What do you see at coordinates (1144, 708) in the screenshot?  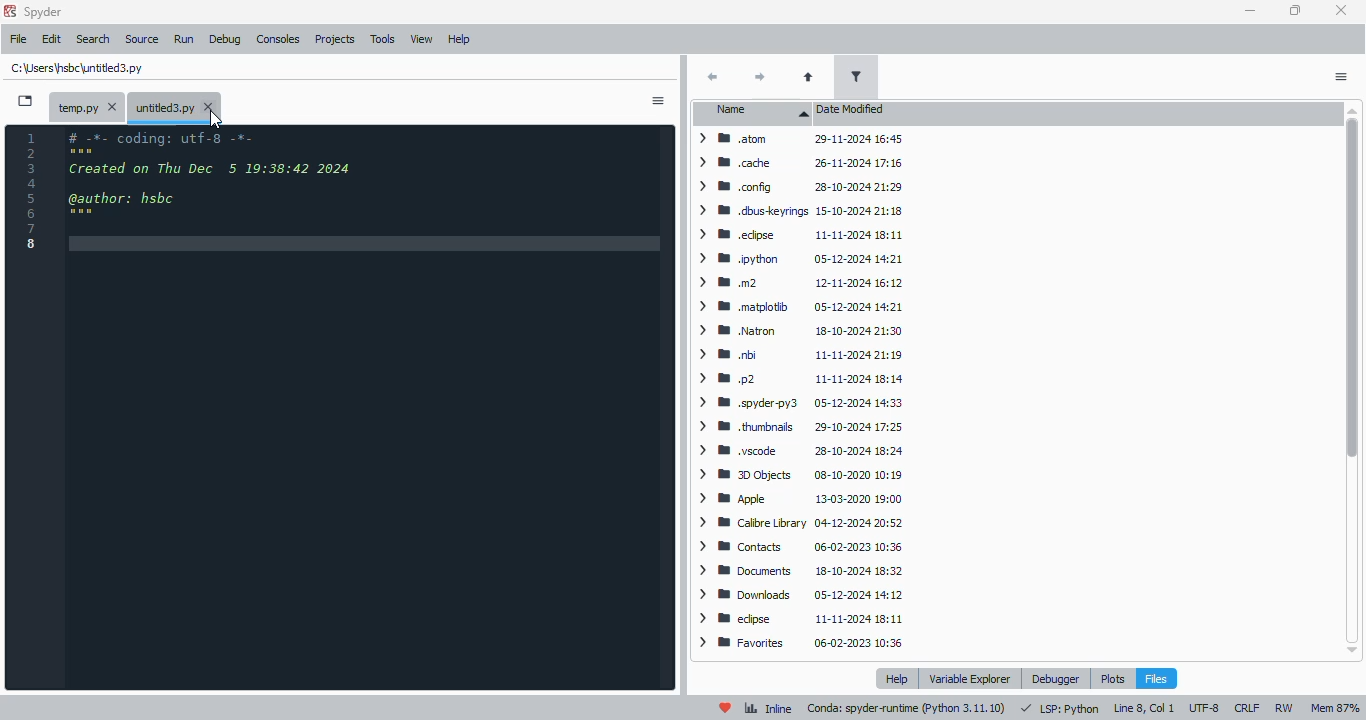 I see `line 8, col 1` at bounding box center [1144, 708].